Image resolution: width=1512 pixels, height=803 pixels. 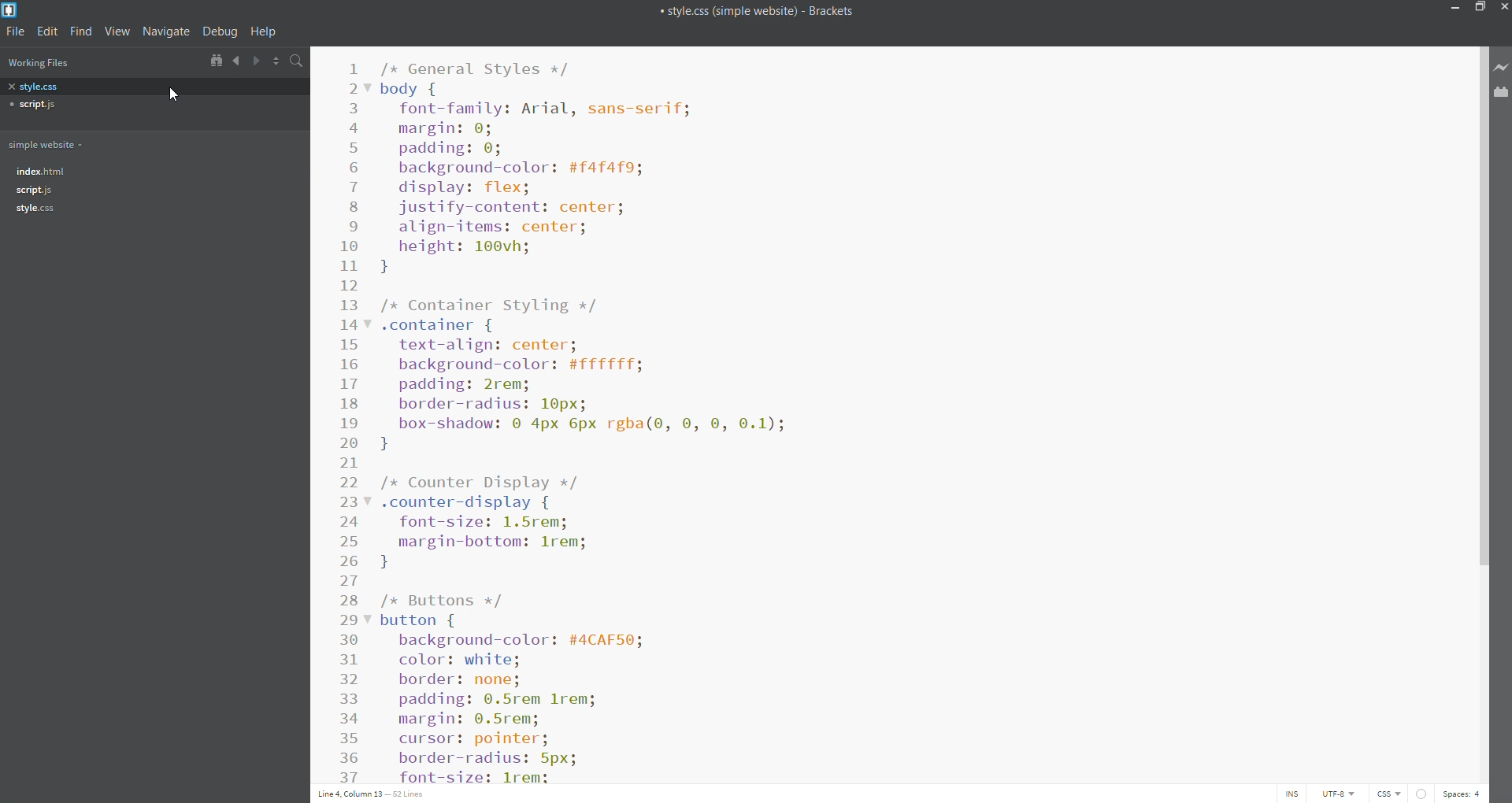 What do you see at coordinates (220, 31) in the screenshot?
I see `debug` at bounding box center [220, 31].